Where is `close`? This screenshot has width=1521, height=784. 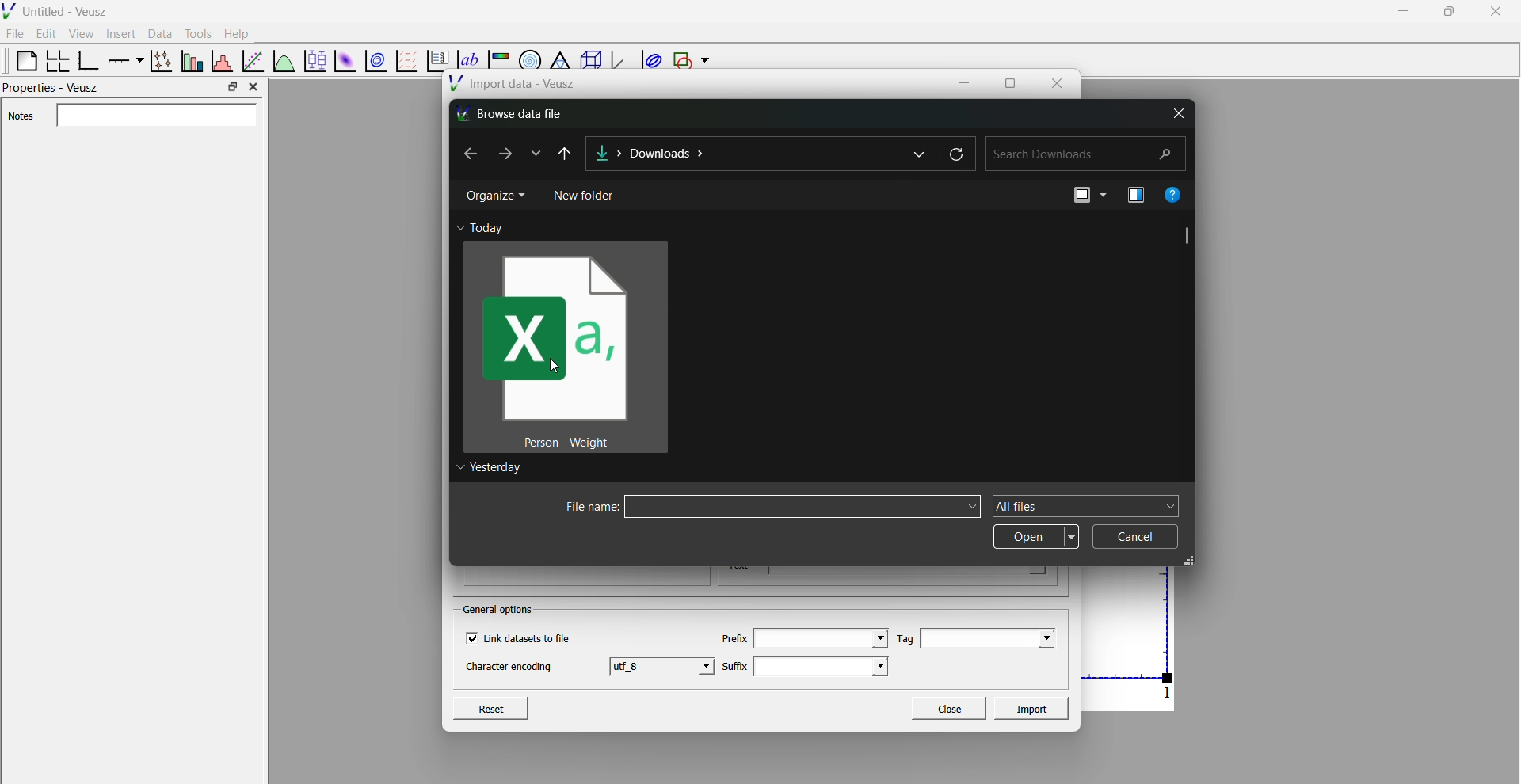 close is located at coordinates (1496, 12).